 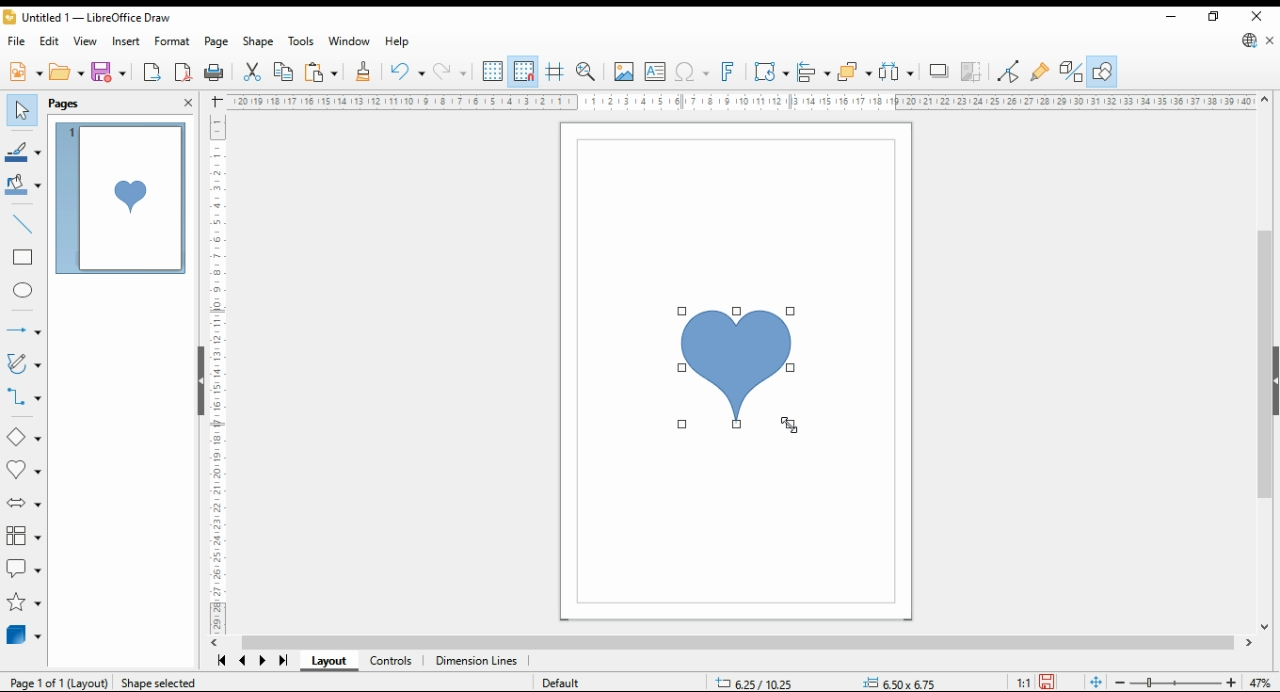 What do you see at coordinates (1250, 40) in the screenshot?
I see `libre office draw update` at bounding box center [1250, 40].